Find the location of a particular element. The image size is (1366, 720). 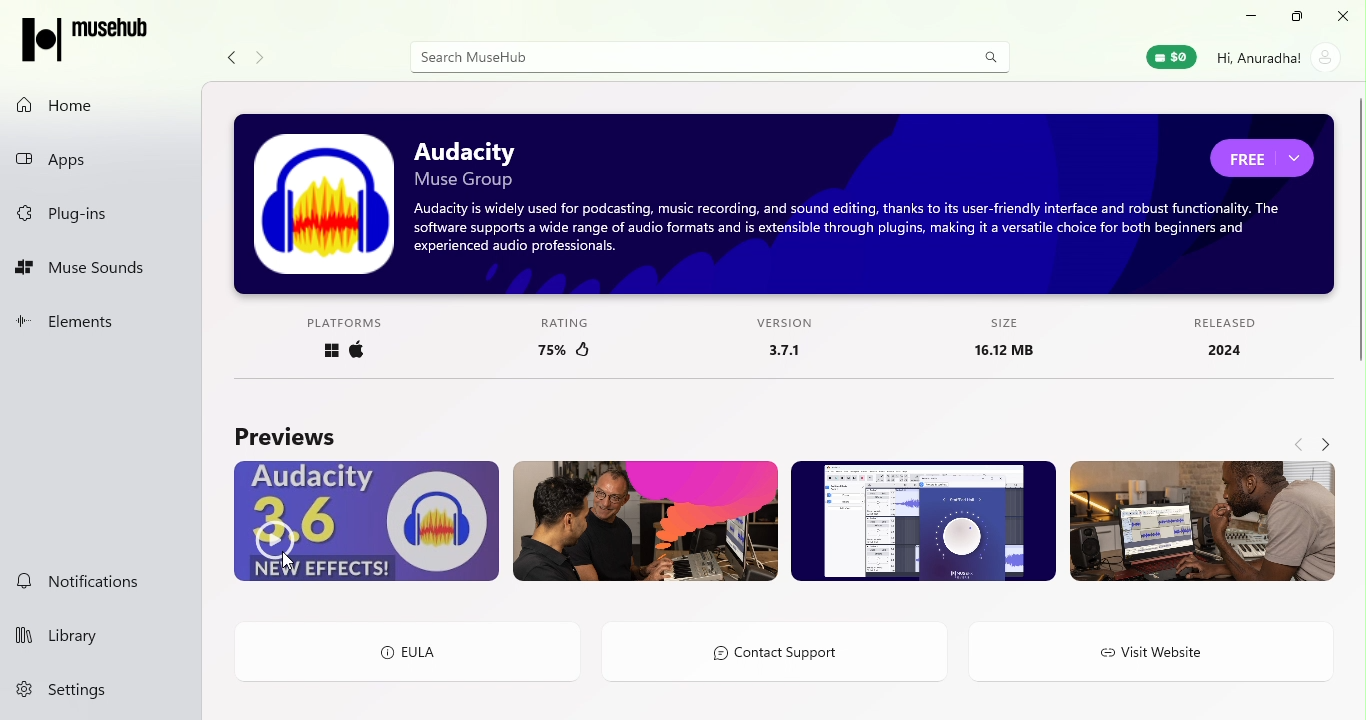

Home is located at coordinates (99, 104).